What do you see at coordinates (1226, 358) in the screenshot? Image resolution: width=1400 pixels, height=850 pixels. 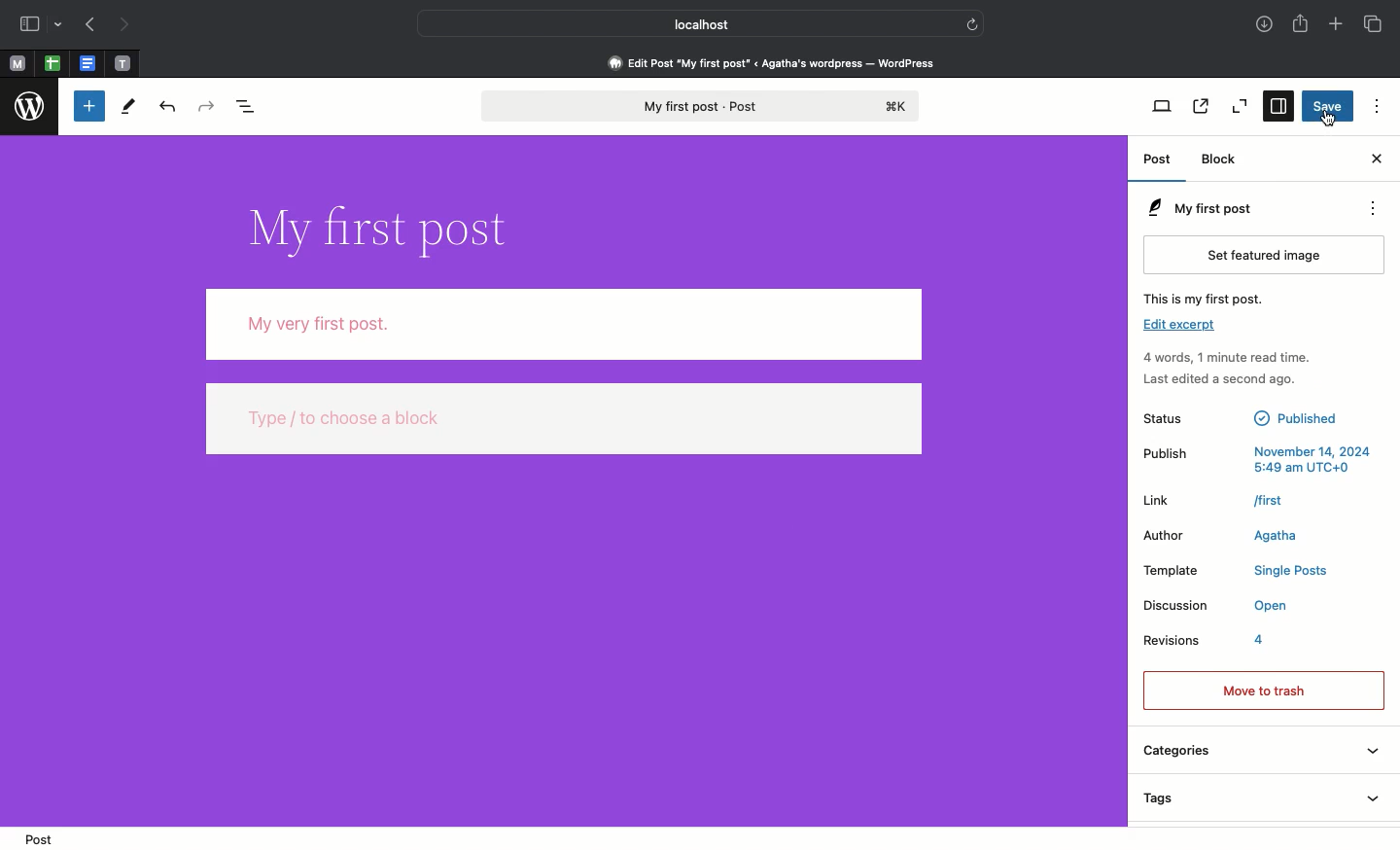 I see `Activity` at bounding box center [1226, 358].